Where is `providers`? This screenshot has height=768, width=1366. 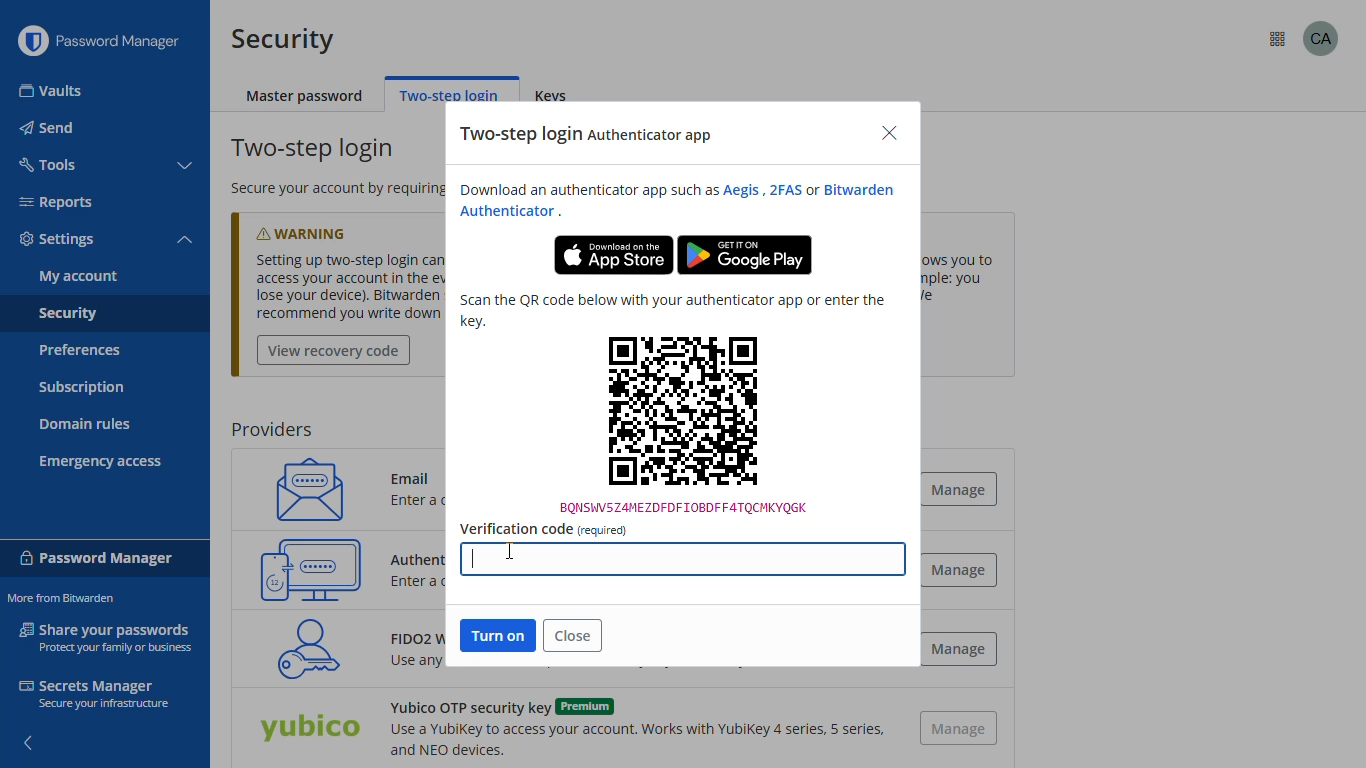
providers is located at coordinates (271, 430).